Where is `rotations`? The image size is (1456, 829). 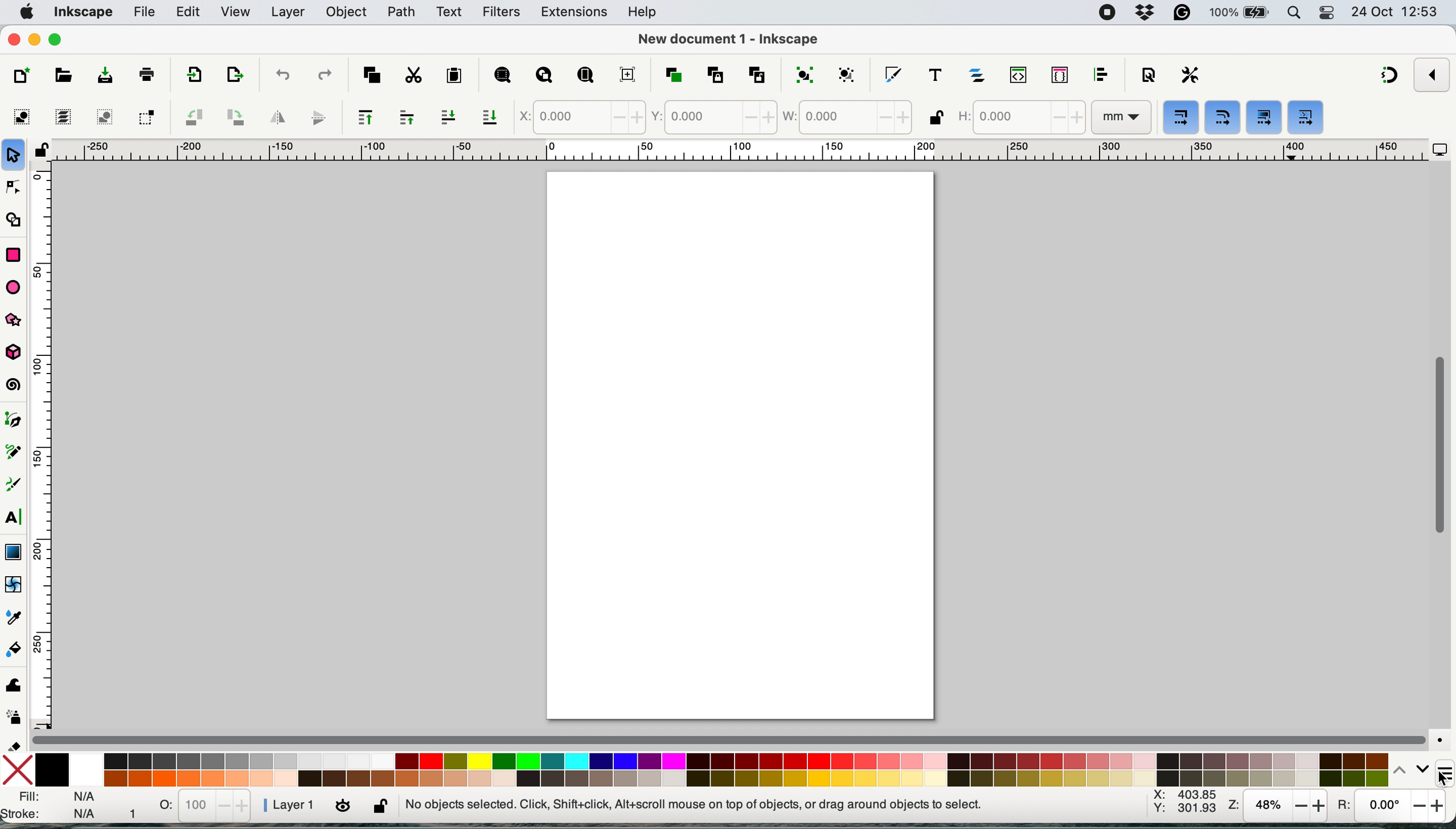
rotations is located at coordinates (1389, 803).